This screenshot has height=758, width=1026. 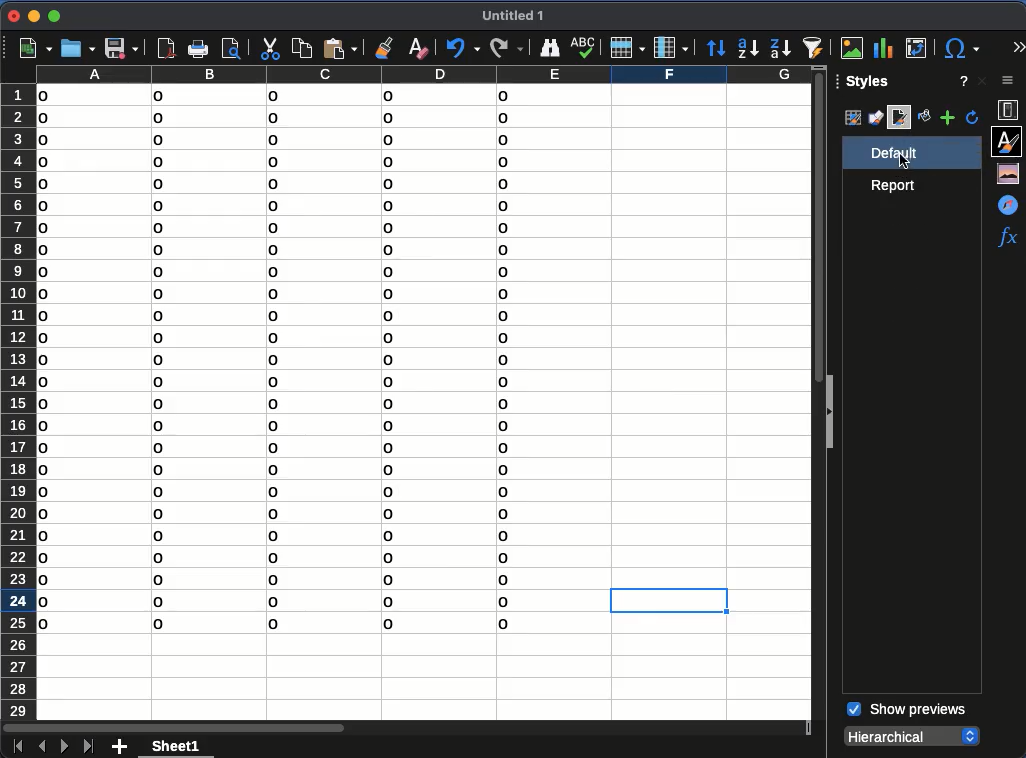 I want to click on autofilter, so click(x=814, y=46).